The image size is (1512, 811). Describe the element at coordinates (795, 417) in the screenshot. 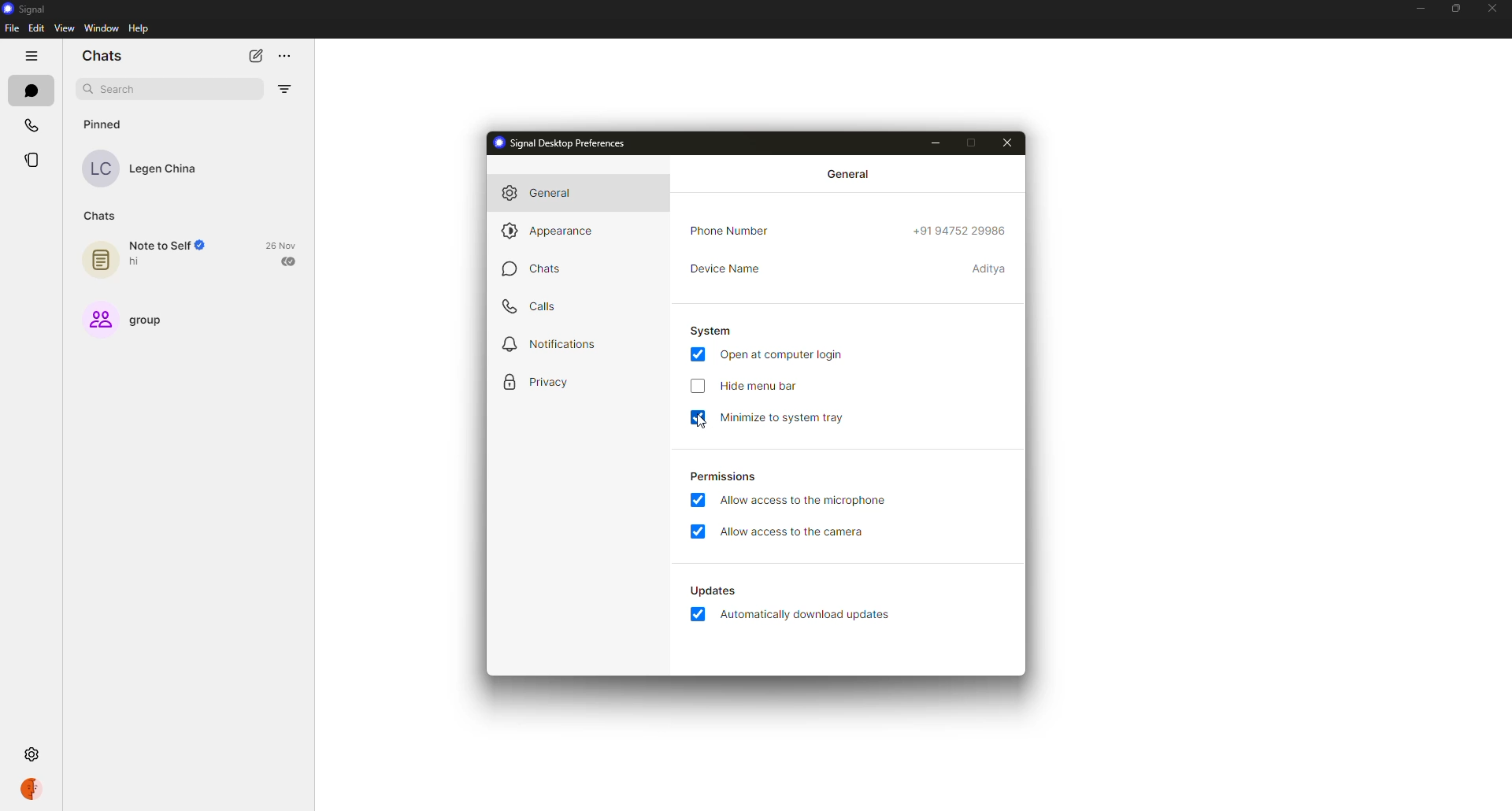

I see `minimize to system tray` at that location.